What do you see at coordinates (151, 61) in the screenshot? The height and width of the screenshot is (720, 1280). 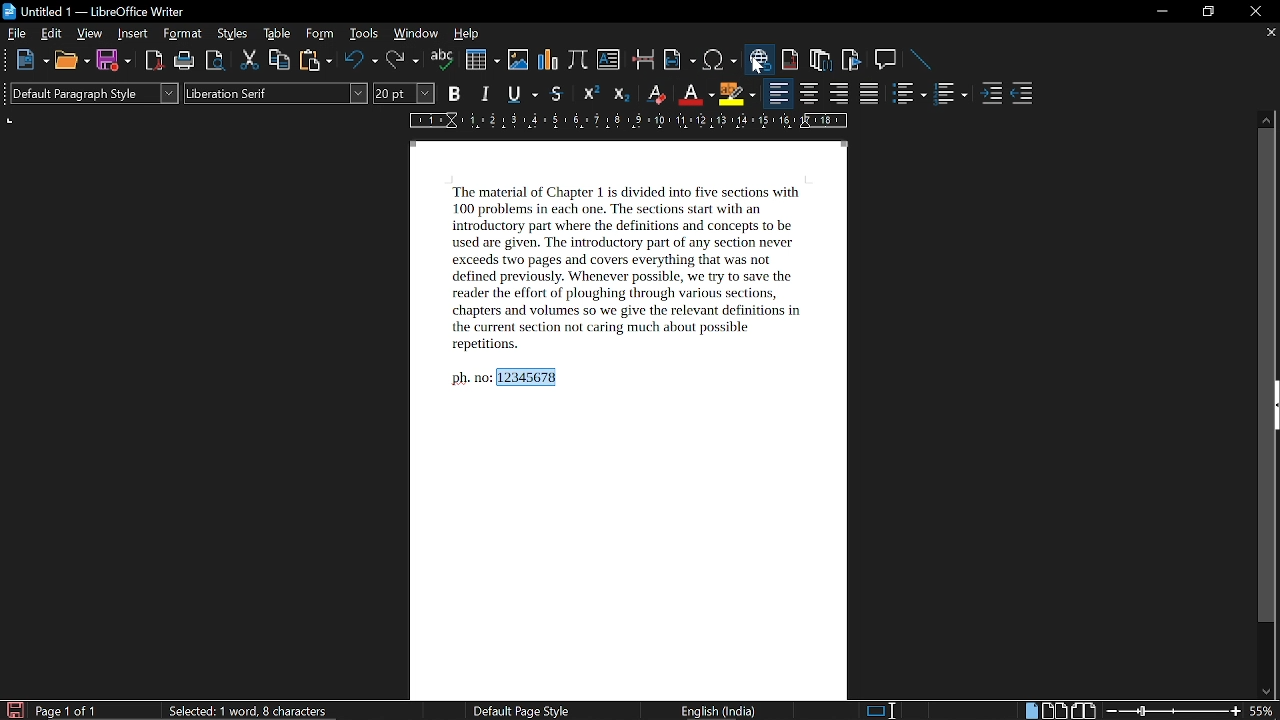 I see `export as pdf` at bounding box center [151, 61].